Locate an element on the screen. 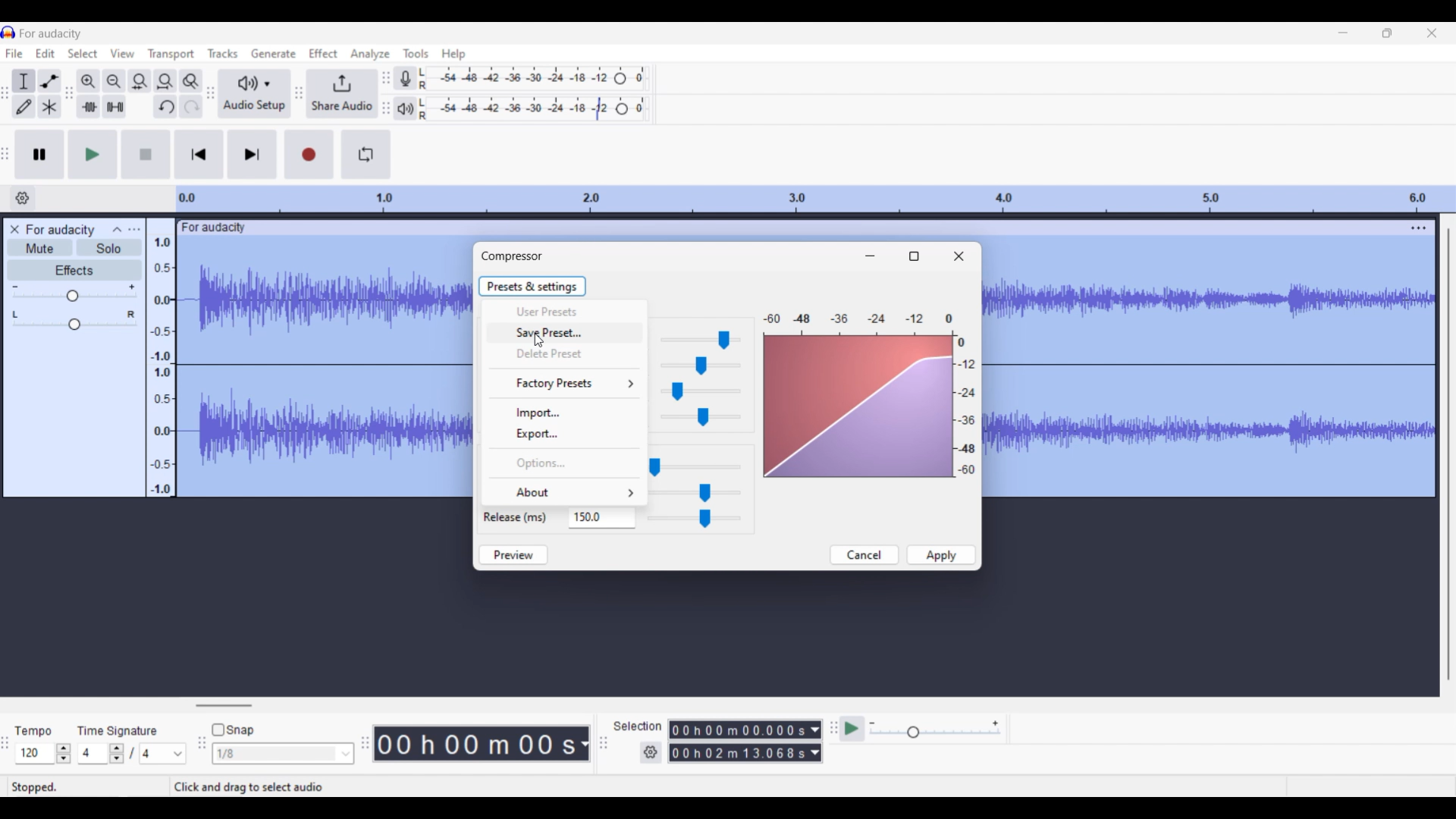 The height and width of the screenshot is (819, 1456). Stopped. Click and drag to select audio is located at coordinates (187, 787).